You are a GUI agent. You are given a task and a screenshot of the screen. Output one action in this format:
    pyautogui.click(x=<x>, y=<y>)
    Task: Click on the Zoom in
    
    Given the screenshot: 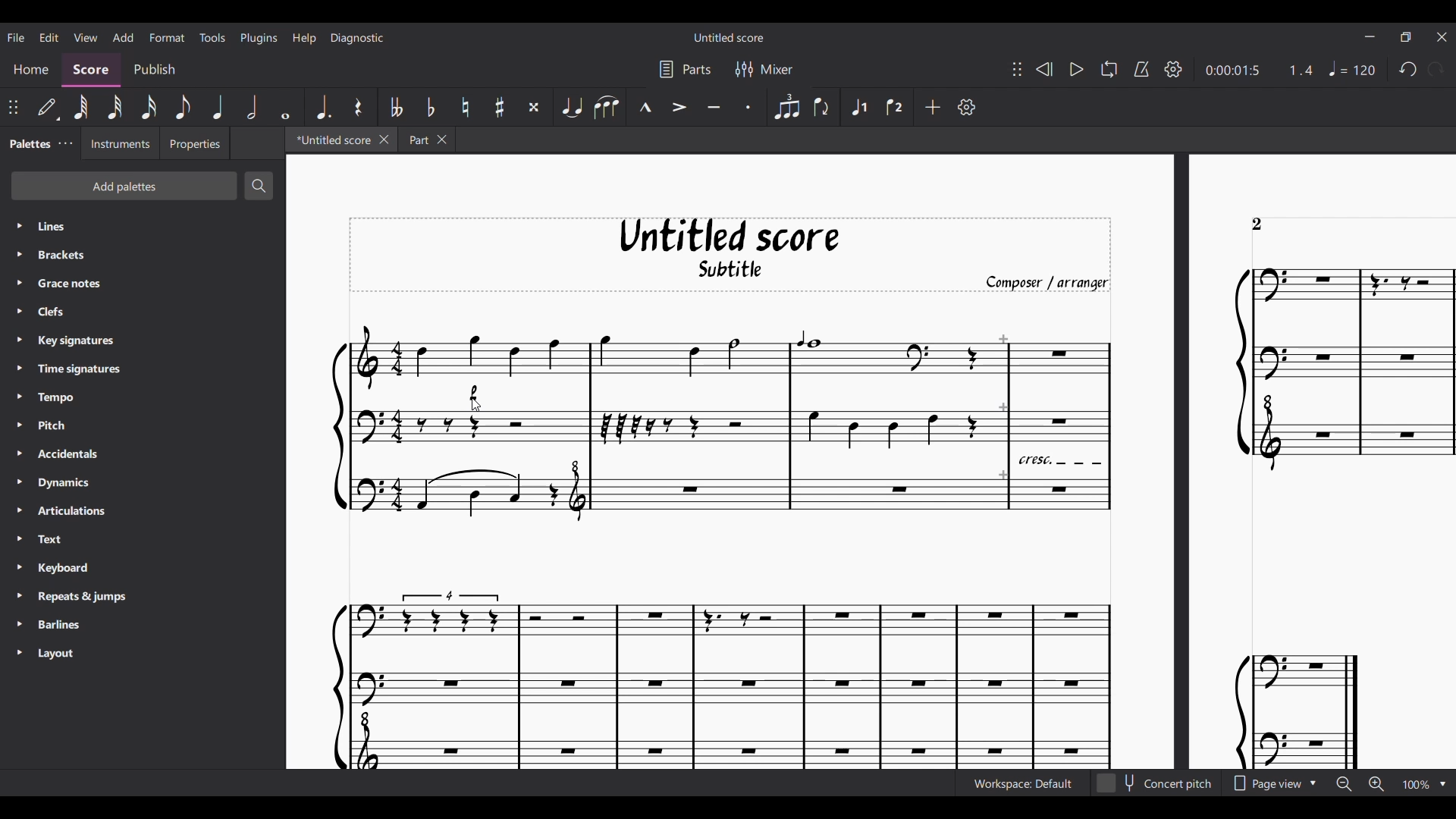 What is the action you would take?
    pyautogui.click(x=1376, y=784)
    